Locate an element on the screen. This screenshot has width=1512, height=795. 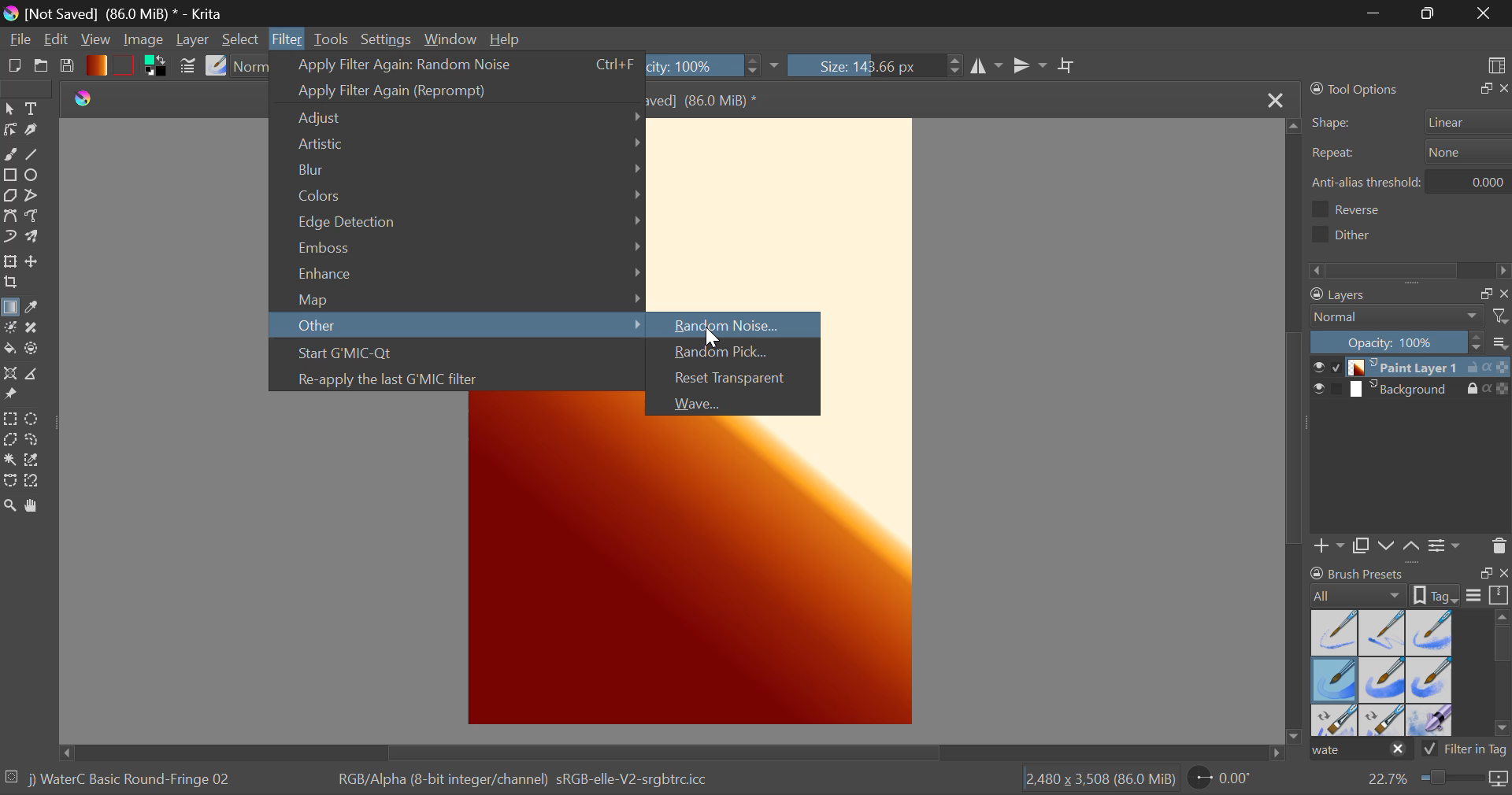
expand  is located at coordinates (1482, 89).